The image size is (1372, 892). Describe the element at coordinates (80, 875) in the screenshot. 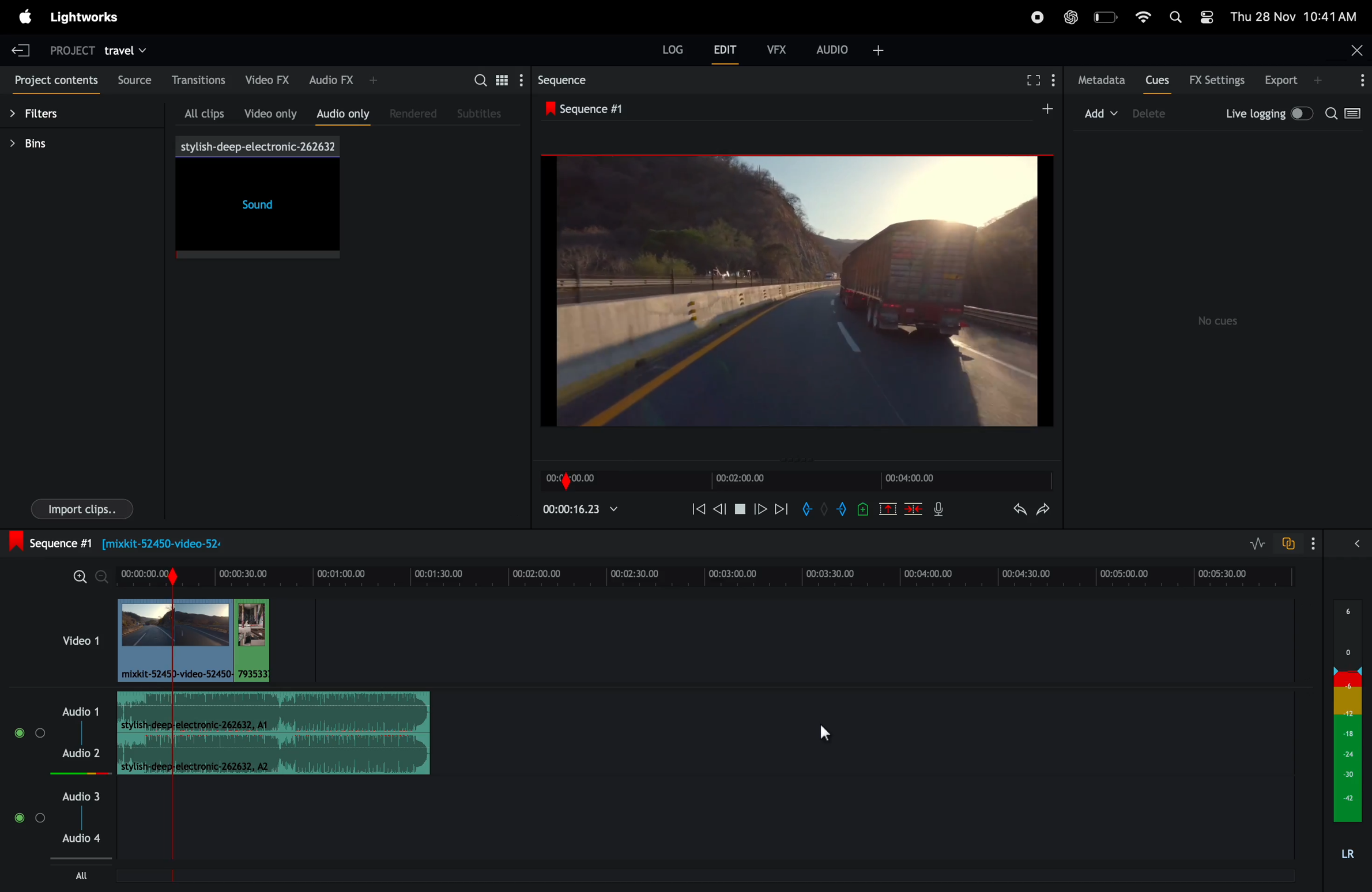

I see `All` at that location.